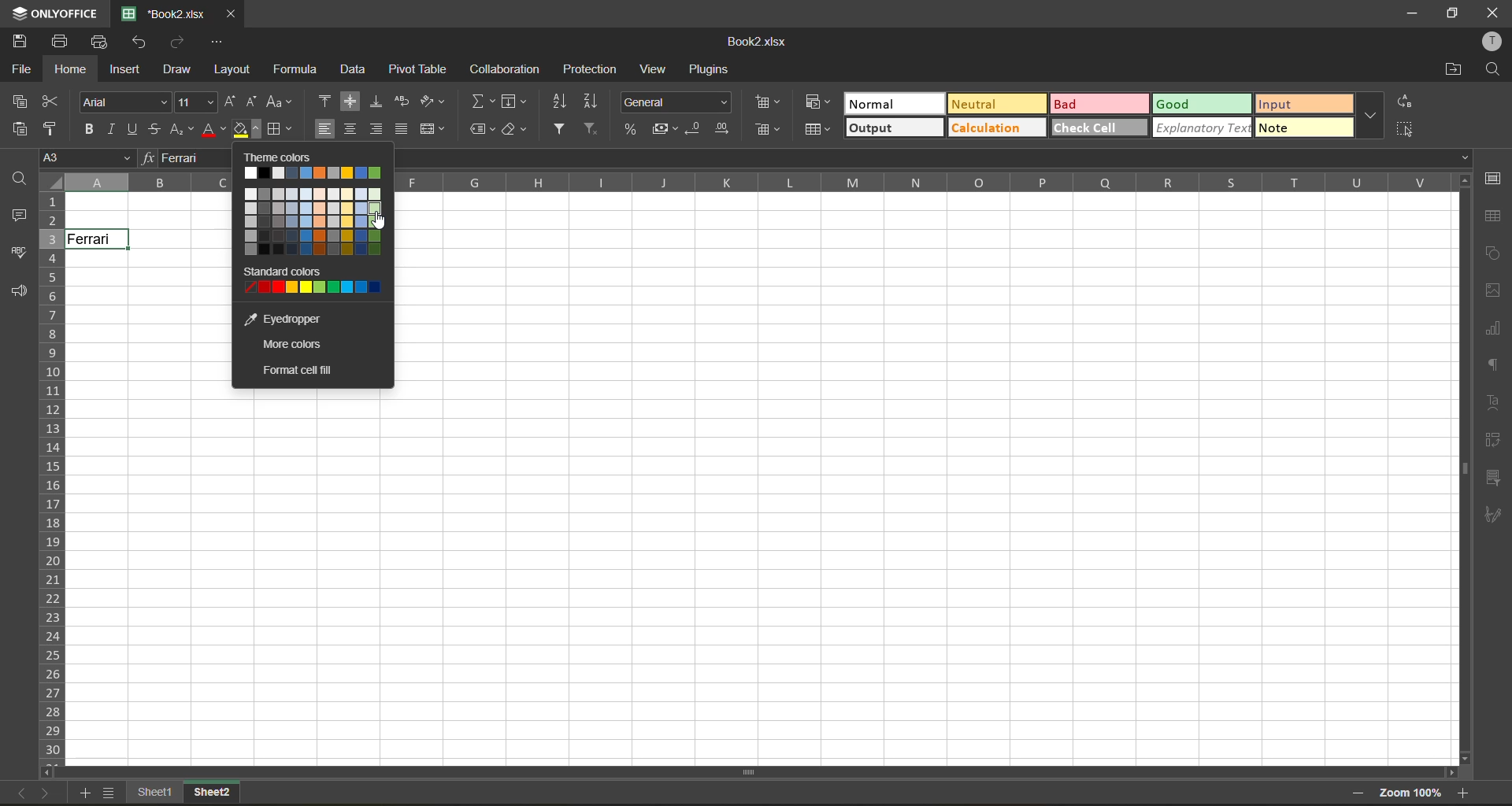 The width and height of the screenshot is (1512, 806). I want to click on sheet names, so click(156, 793).